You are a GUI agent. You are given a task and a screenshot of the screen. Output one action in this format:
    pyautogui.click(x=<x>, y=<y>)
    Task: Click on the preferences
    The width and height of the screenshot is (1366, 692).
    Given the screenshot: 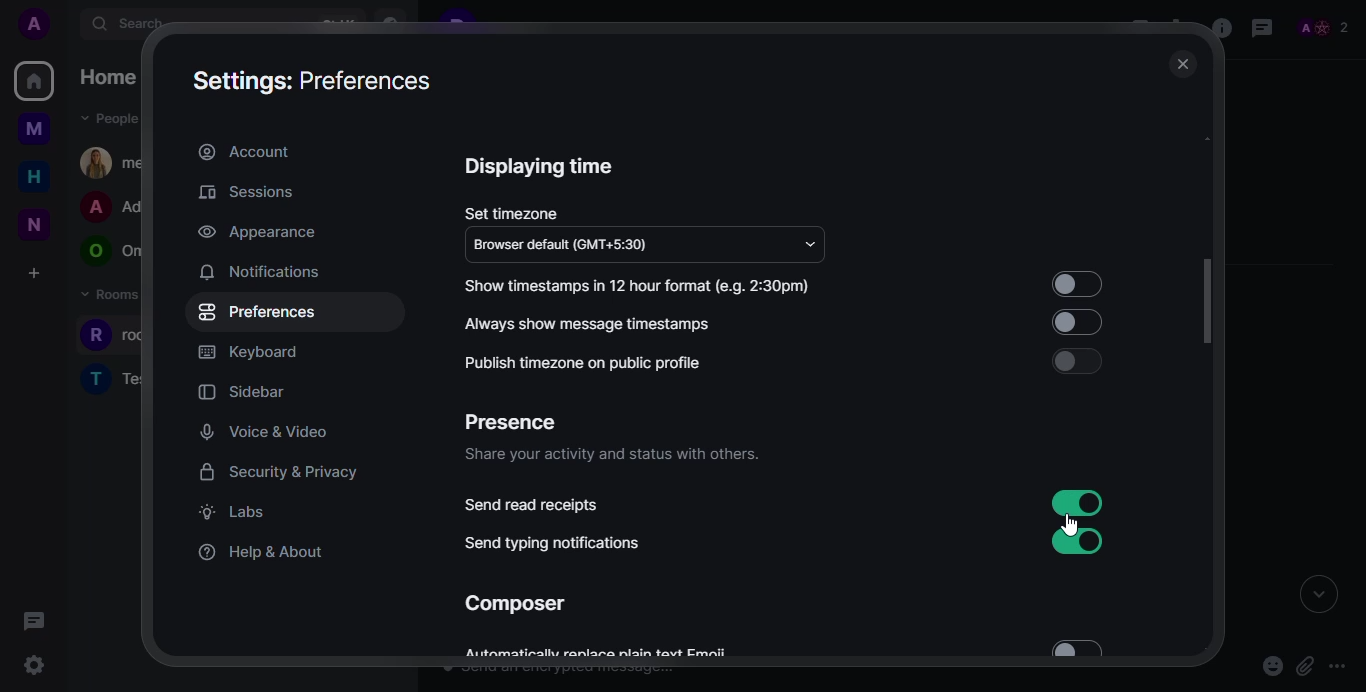 What is the action you would take?
    pyautogui.click(x=258, y=311)
    